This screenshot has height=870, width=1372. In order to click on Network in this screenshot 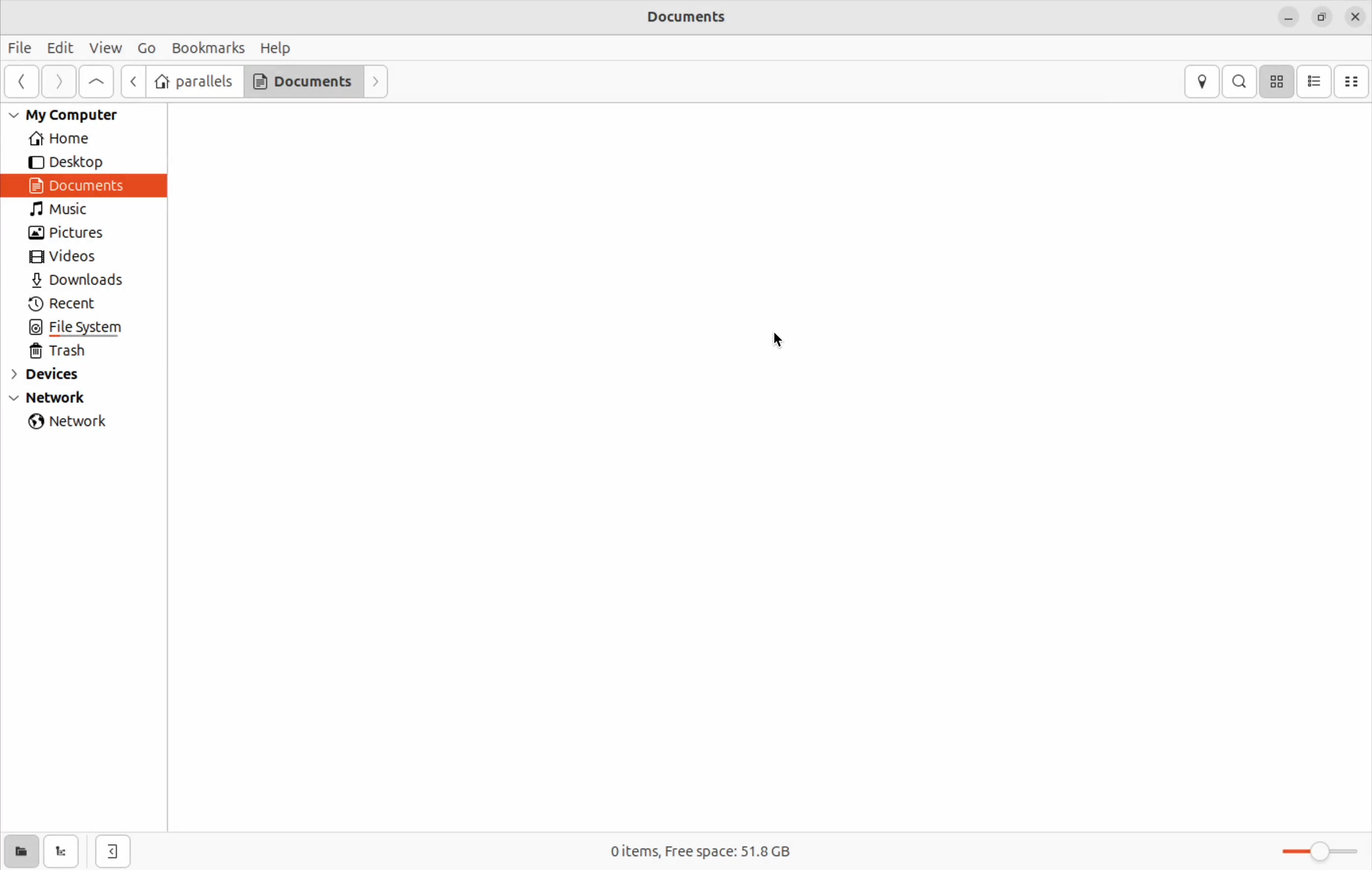, I will do `click(54, 398)`.